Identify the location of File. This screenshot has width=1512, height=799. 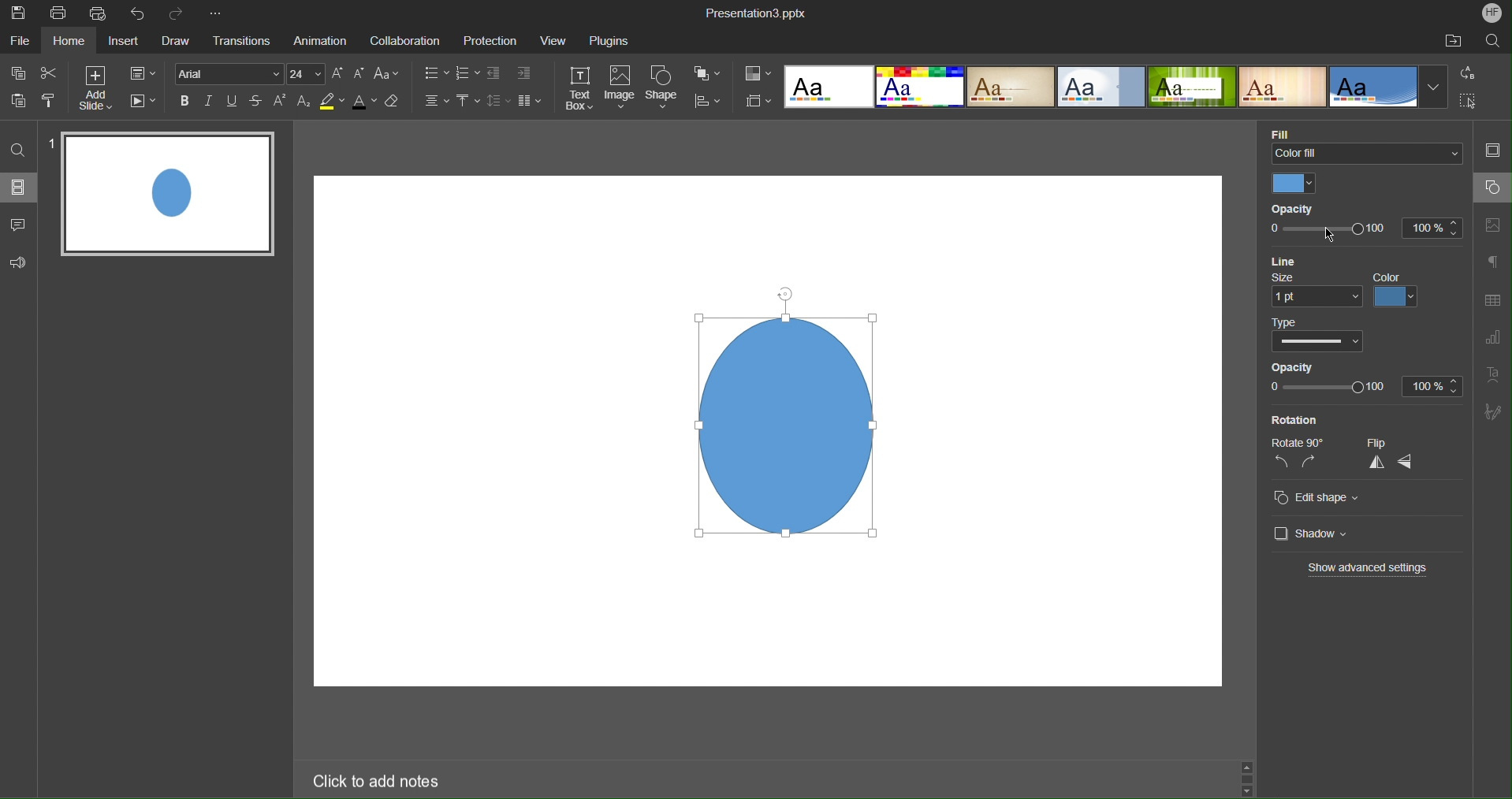
(19, 41).